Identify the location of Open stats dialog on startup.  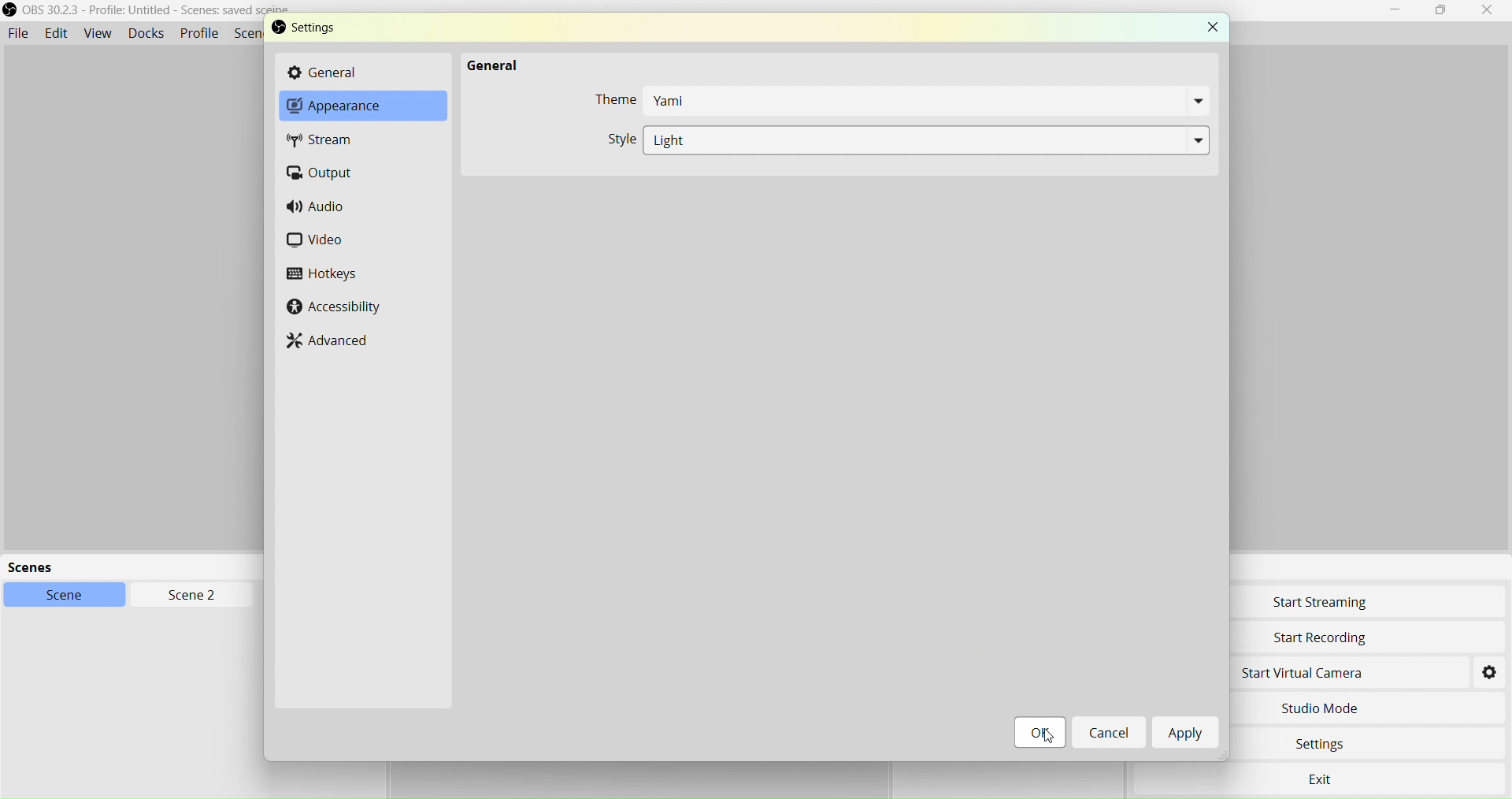
(894, 138).